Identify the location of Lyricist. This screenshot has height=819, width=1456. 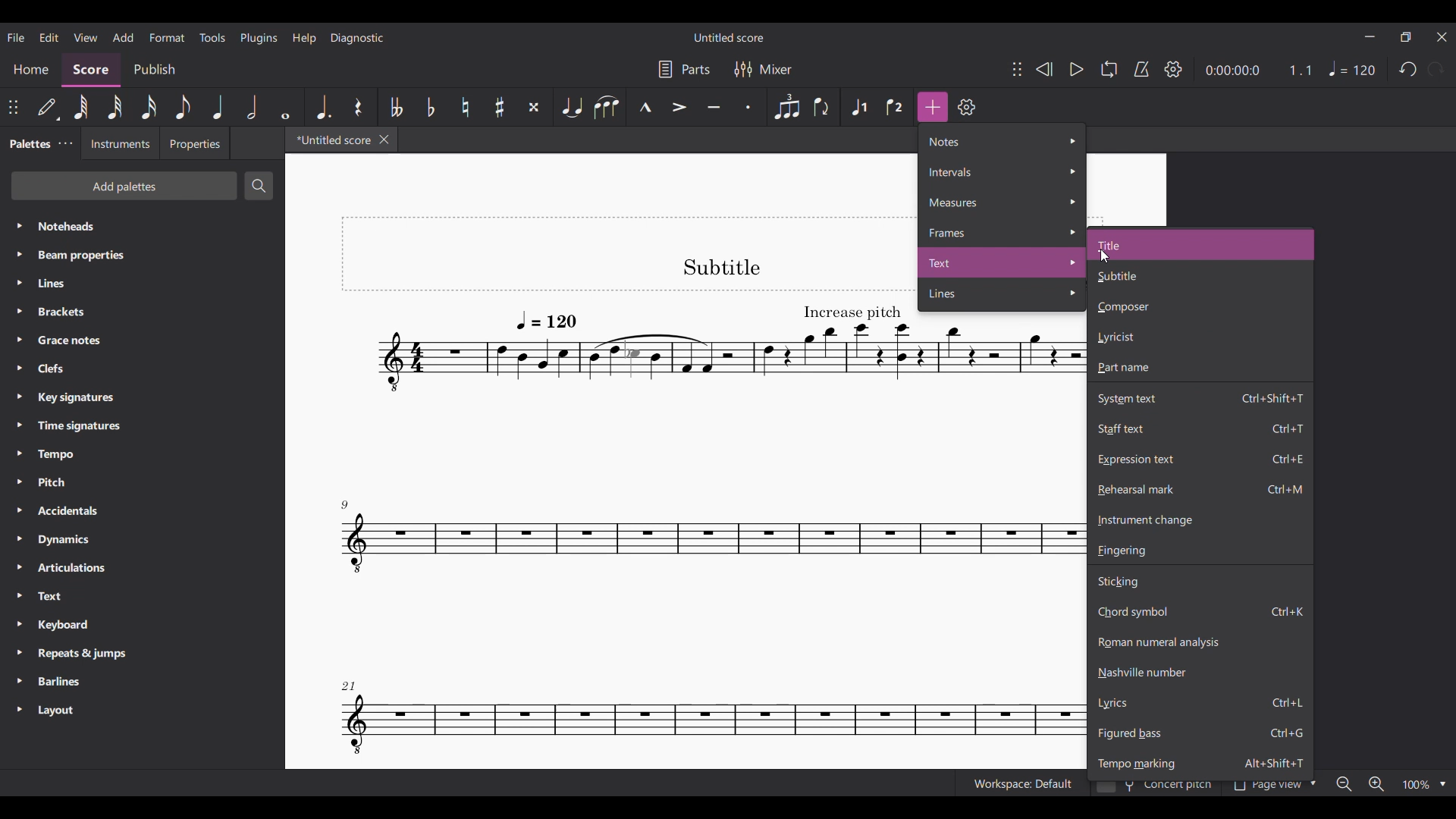
(1200, 337).